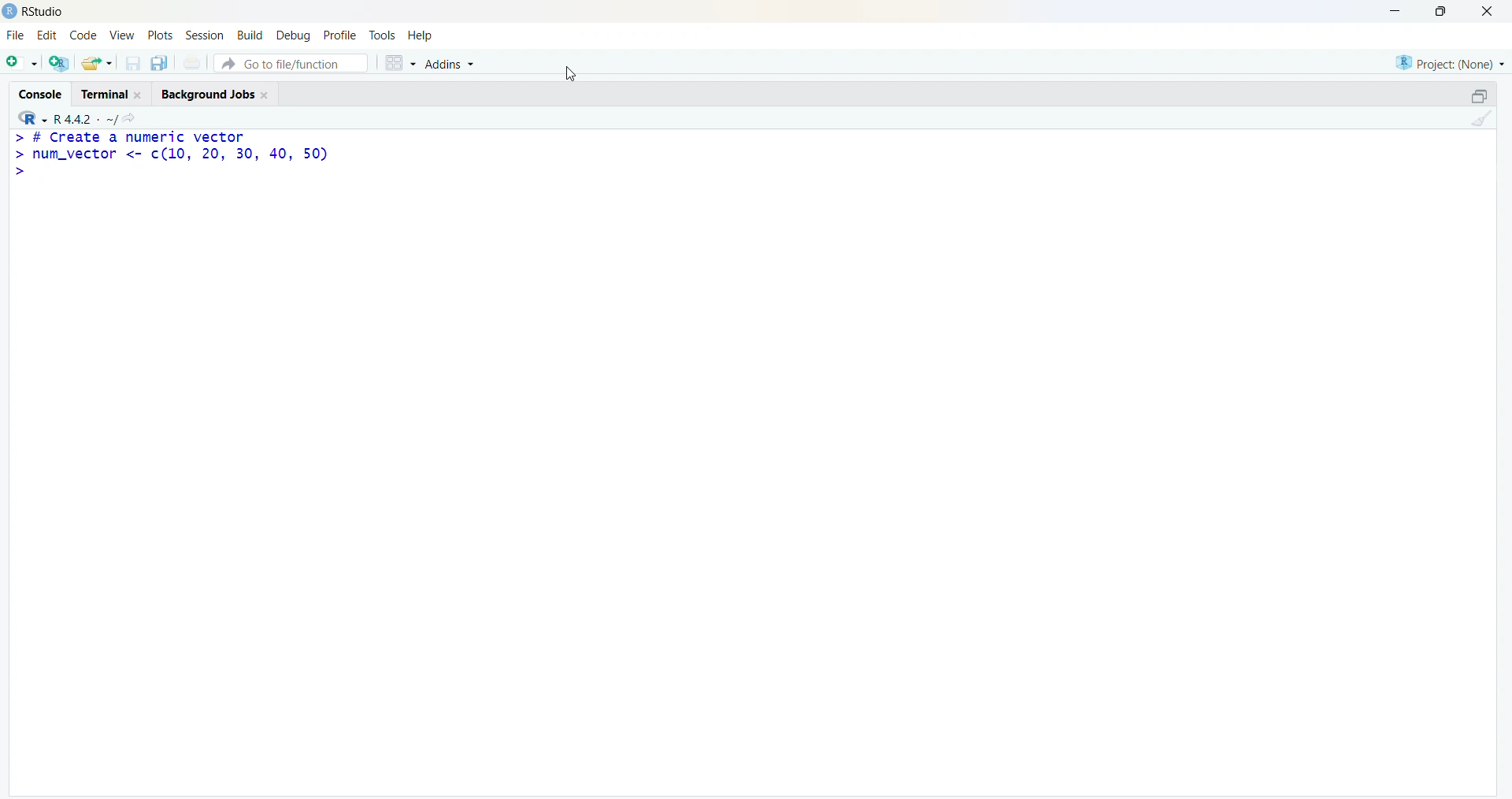  Describe the element at coordinates (571, 73) in the screenshot. I see `cursor` at that location.